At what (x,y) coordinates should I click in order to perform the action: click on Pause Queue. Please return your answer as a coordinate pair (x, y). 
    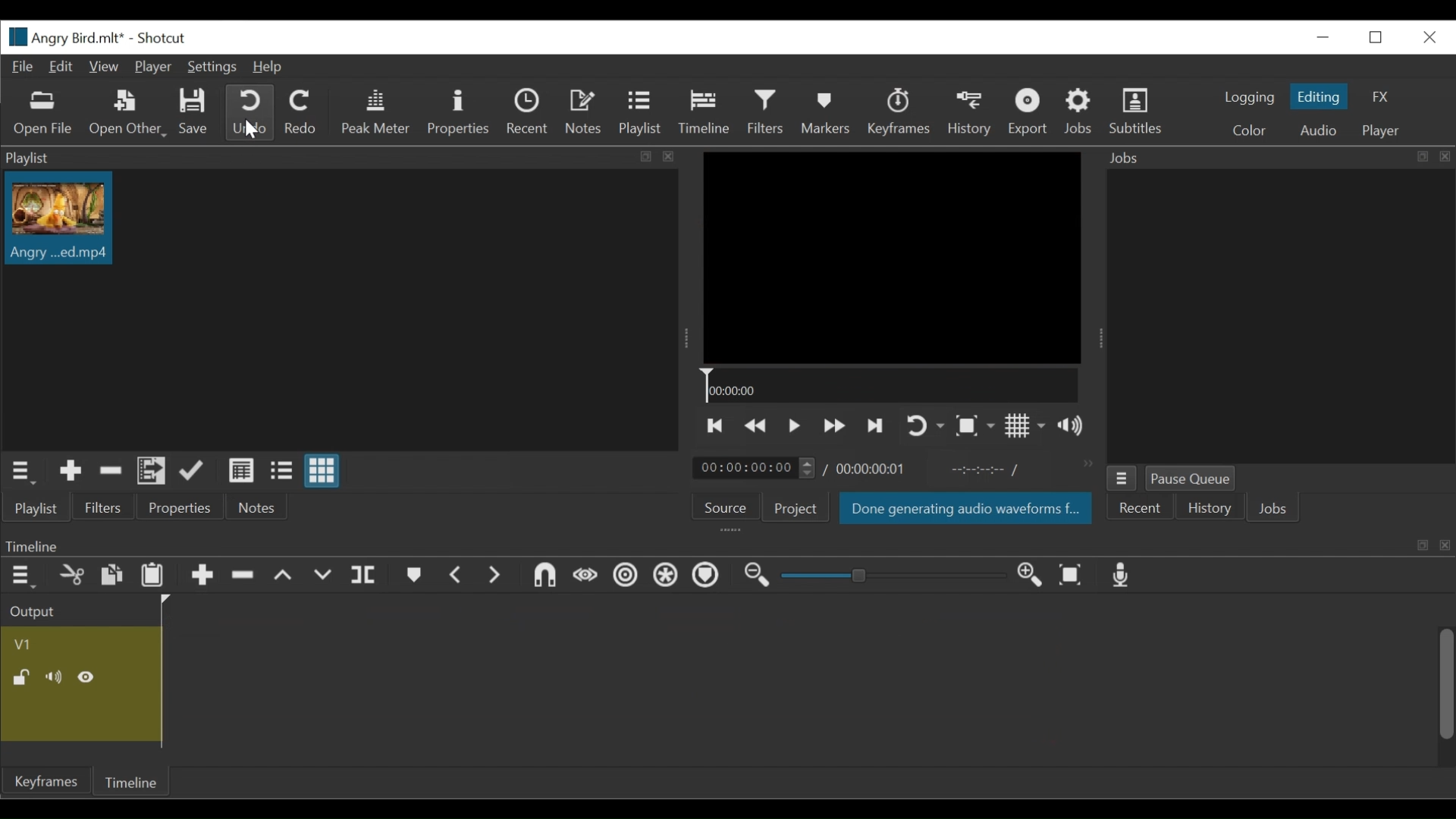
    Looking at the image, I should click on (1194, 478).